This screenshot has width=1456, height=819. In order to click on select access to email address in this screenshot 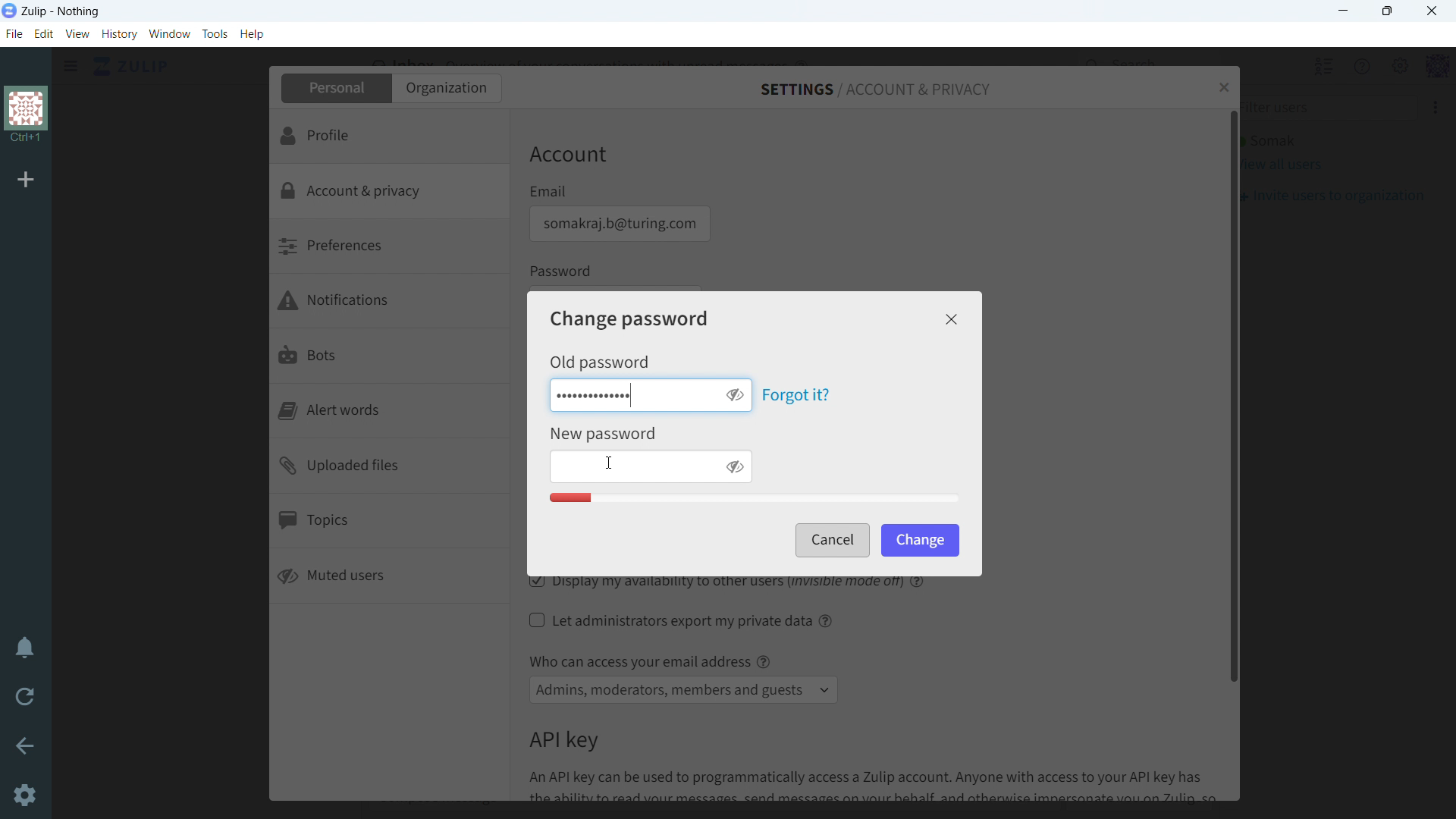, I will do `click(684, 690)`.